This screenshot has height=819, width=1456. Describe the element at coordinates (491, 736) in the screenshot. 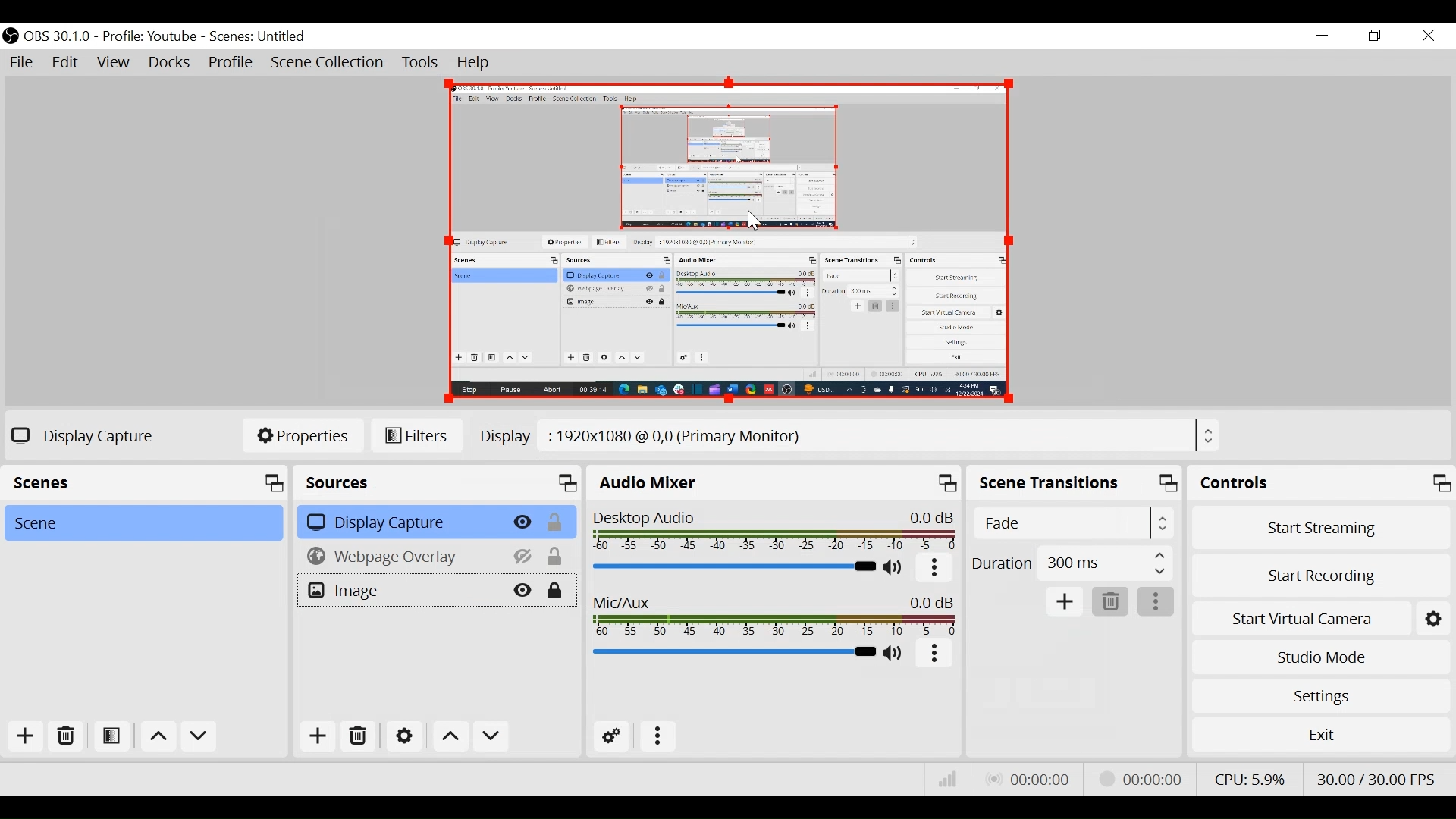

I see `Move down` at that location.